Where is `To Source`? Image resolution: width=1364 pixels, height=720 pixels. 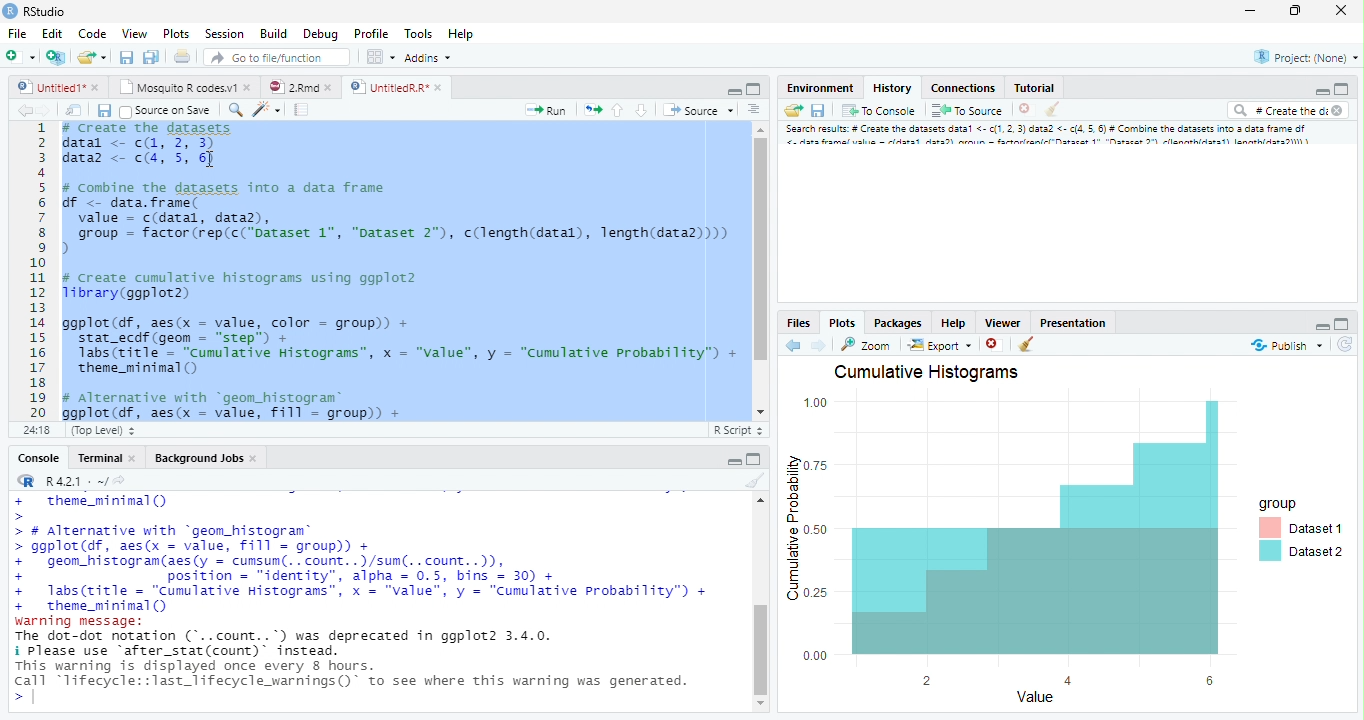
To Source is located at coordinates (968, 110).